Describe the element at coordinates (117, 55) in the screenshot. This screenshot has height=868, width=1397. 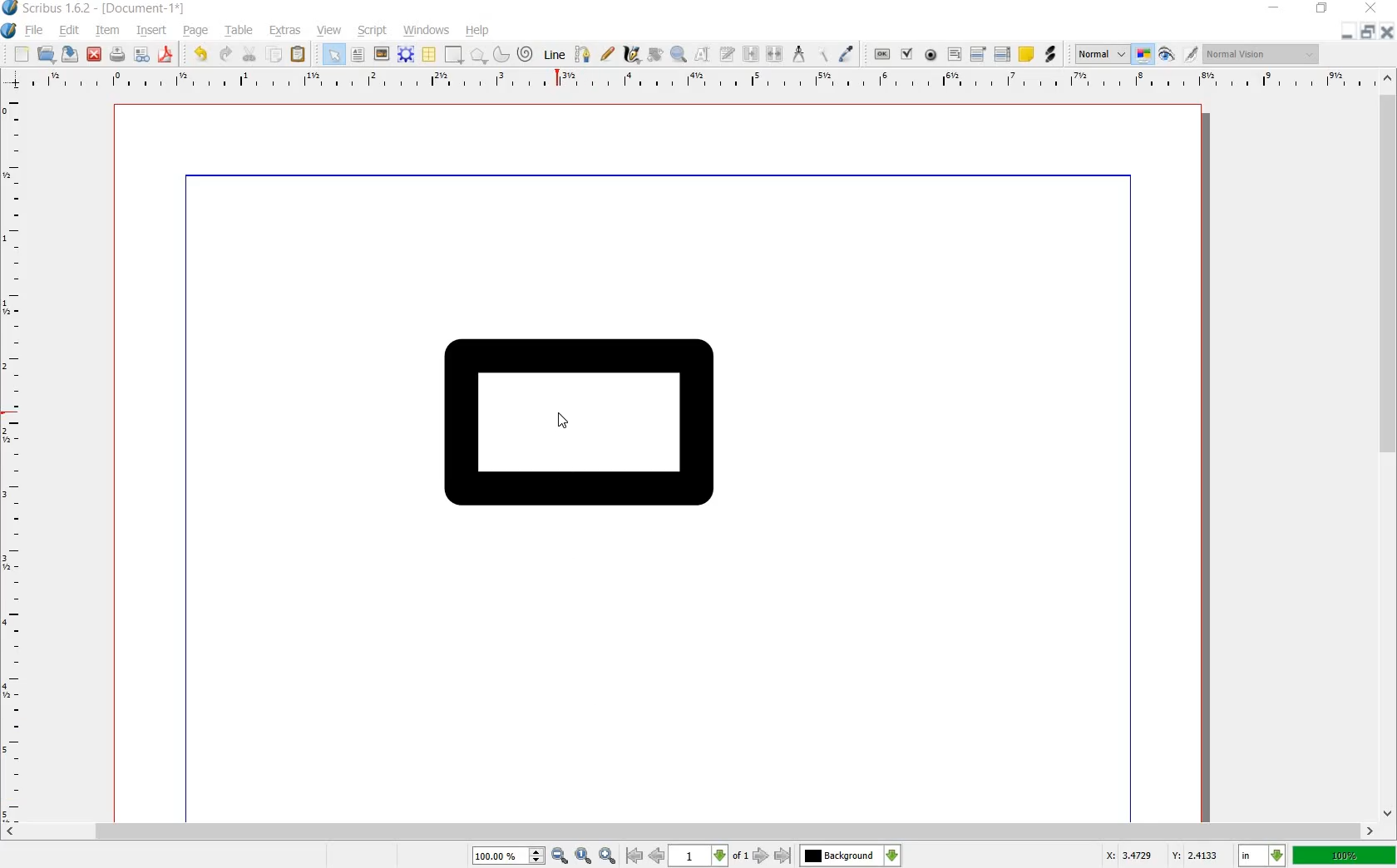
I see `print` at that location.